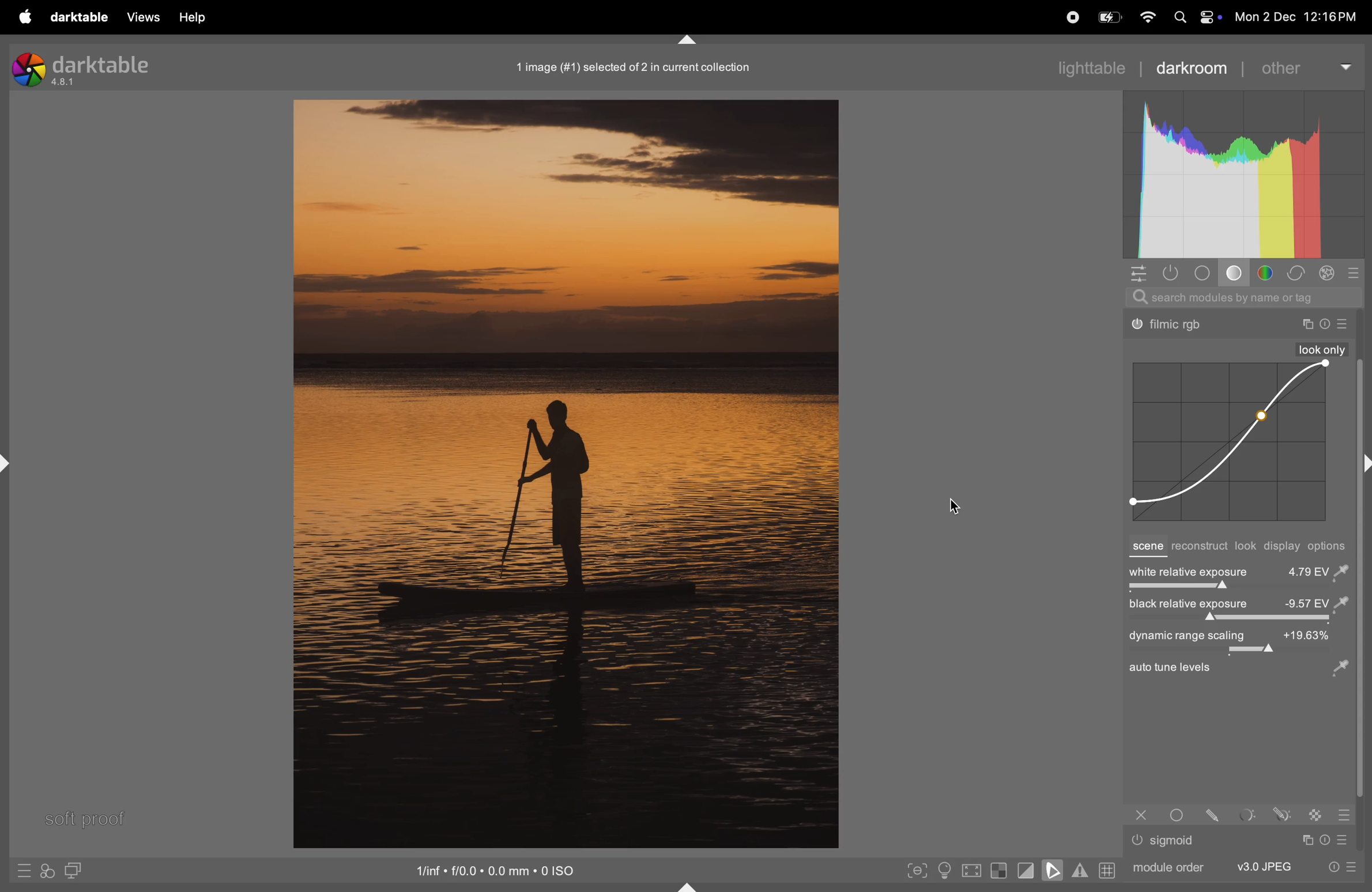 This screenshot has height=892, width=1372. What do you see at coordinates (95, 66) in the screenshot?
I see `darktable version` at bounding box center [95, 66].